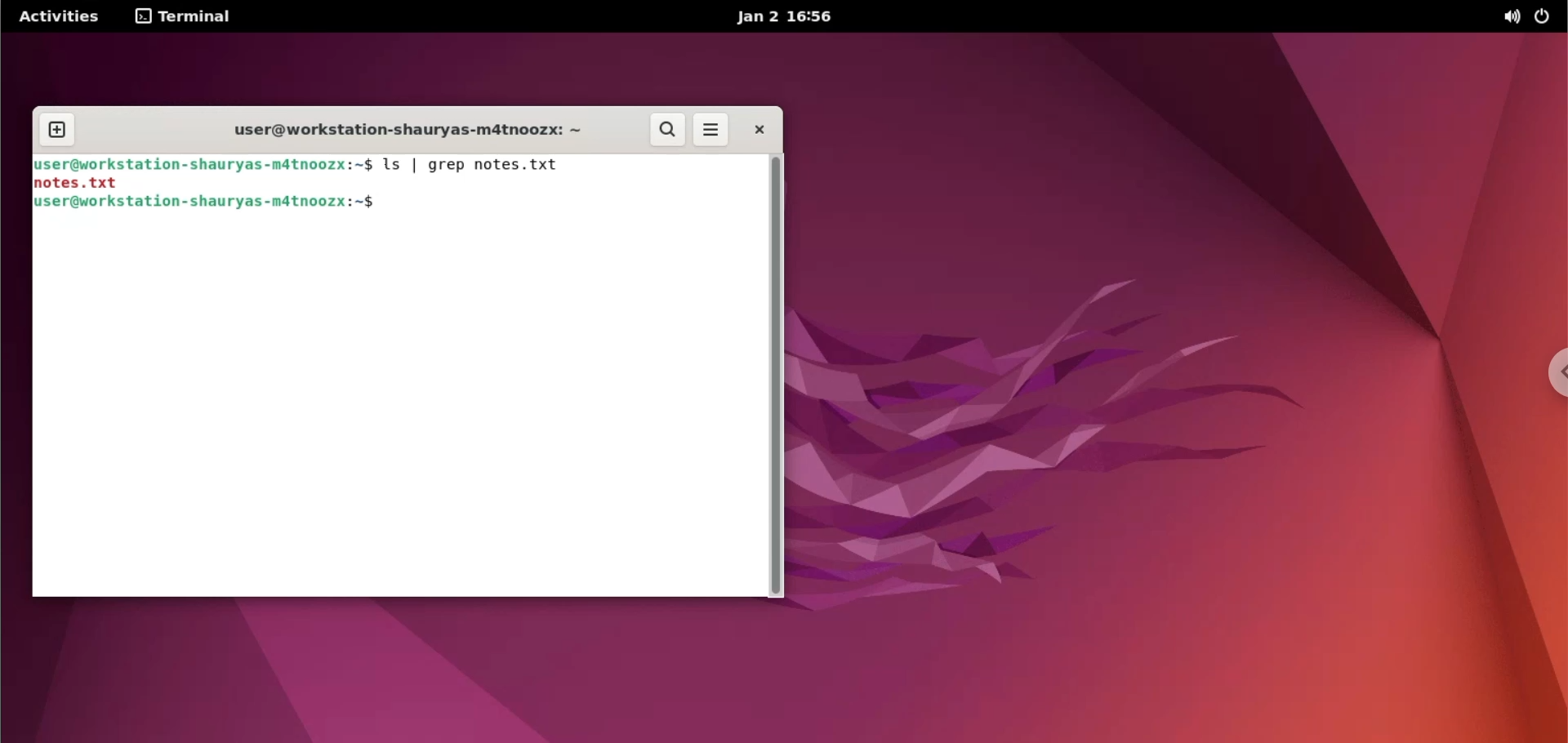 The height and width of the screenshot is (743, 1568). What do you see at coordinates (91, 183) in the screenshot?
I see `notes. txt` at bounding box center [91, 183].